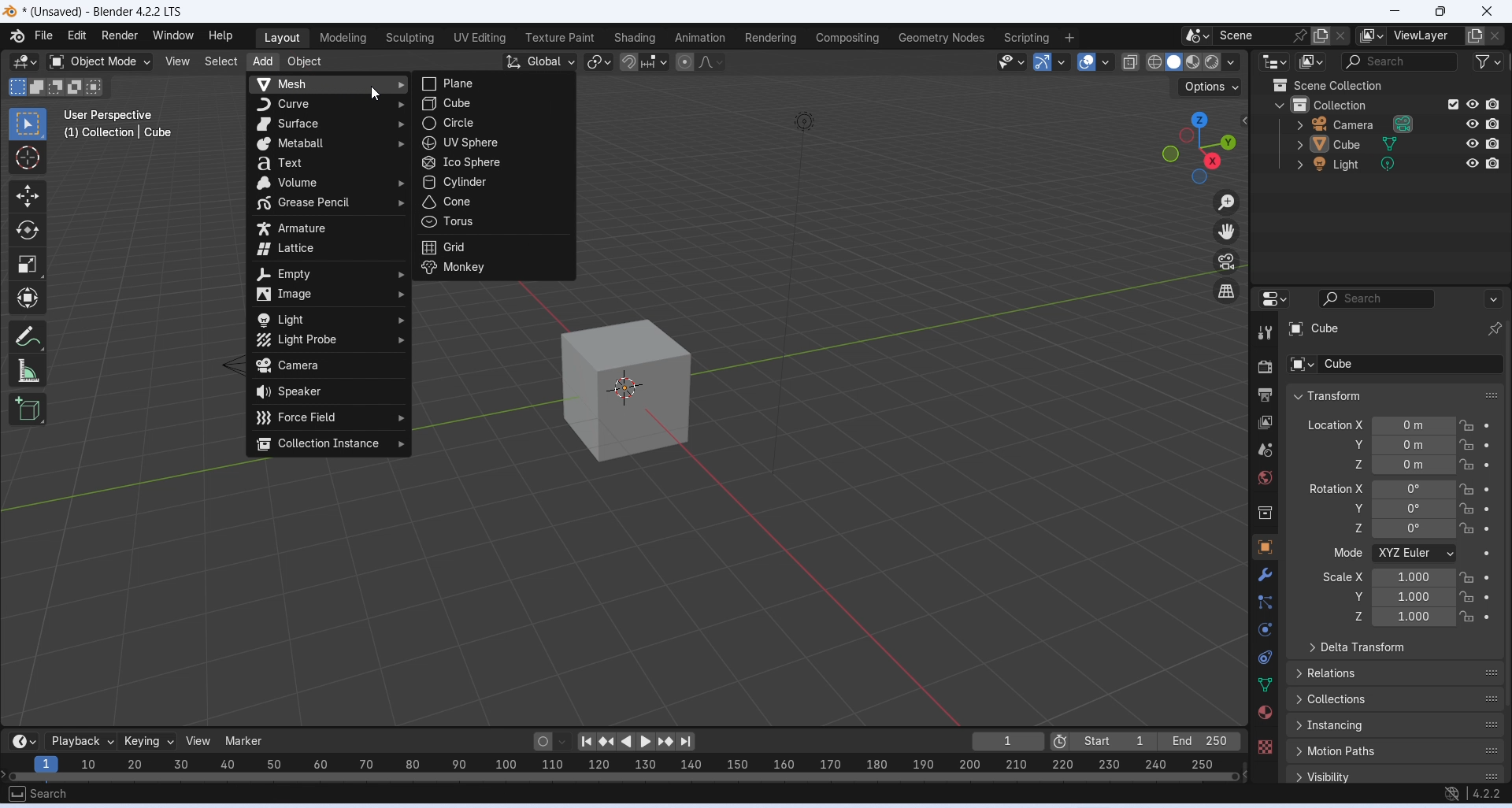 This screenshot has width=1512, height=808. I want to click on Geometry notes, so click(943, 37).